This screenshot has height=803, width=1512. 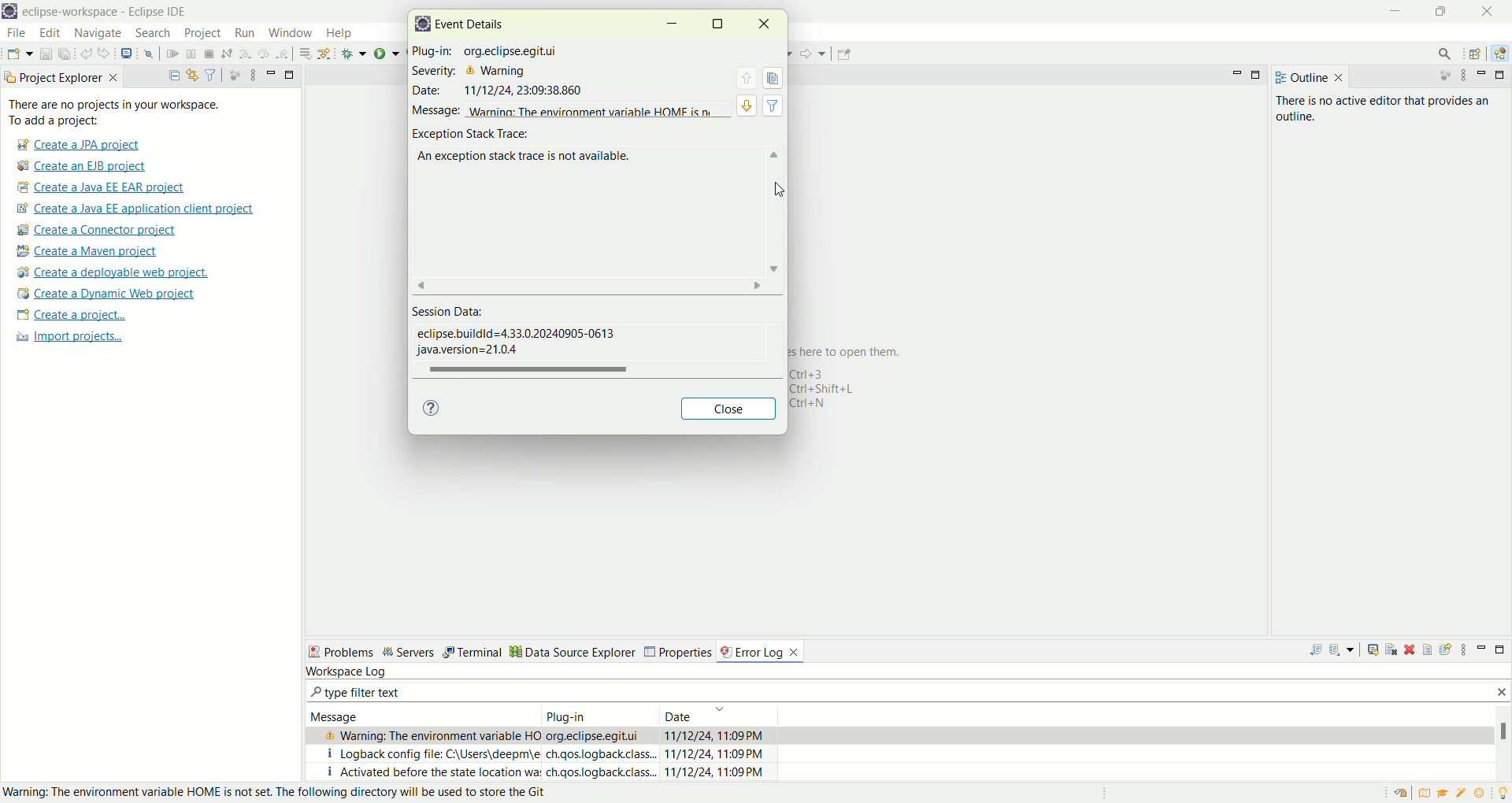 I want to click on create a connector project, so click(x=98, y=231).